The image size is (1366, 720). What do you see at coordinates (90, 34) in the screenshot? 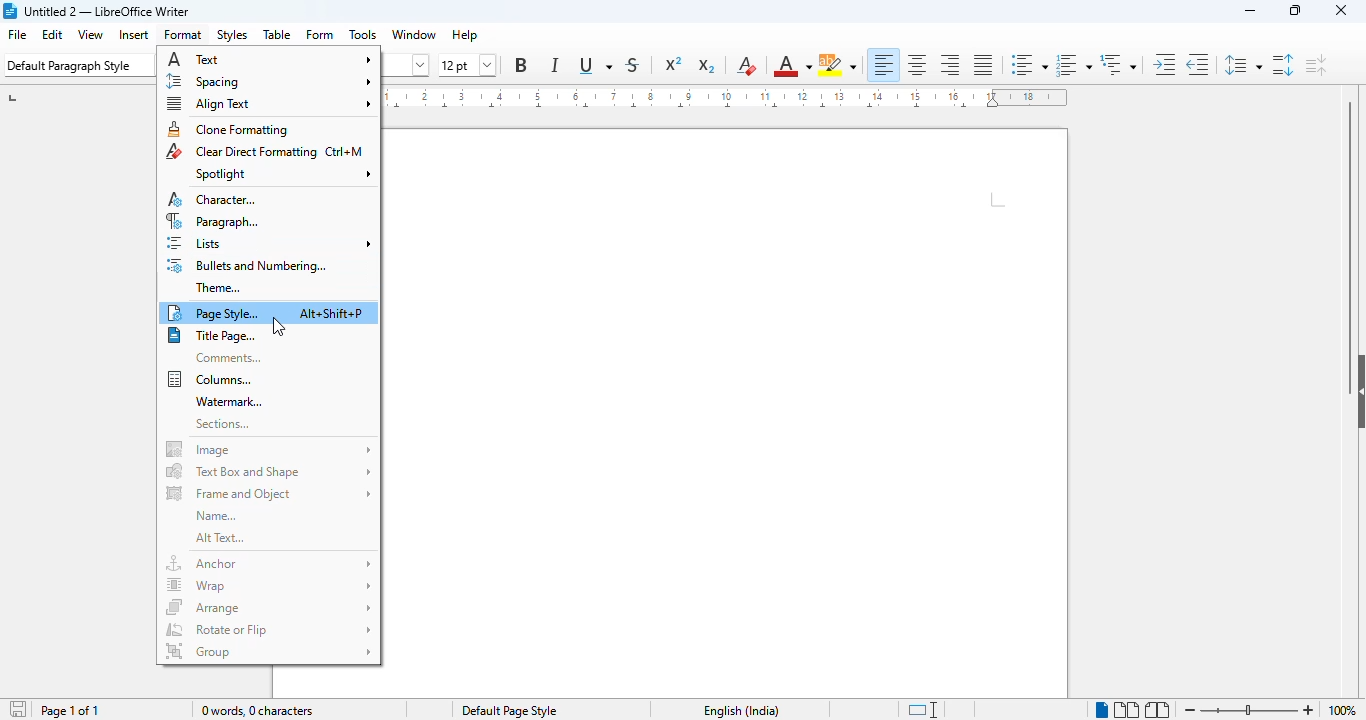
I see `view` at bounding box center [90, 34].